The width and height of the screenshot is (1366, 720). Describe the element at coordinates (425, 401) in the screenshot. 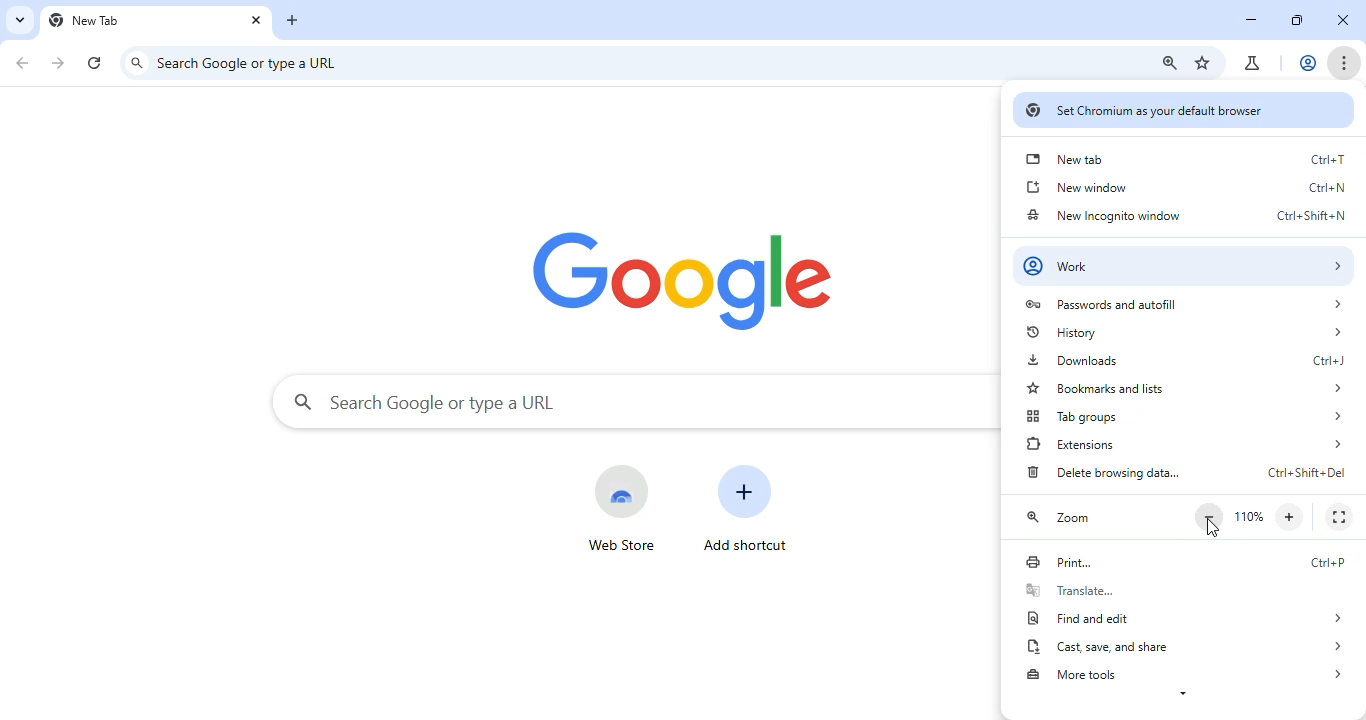

I see `search Google or type a URL` at that location.